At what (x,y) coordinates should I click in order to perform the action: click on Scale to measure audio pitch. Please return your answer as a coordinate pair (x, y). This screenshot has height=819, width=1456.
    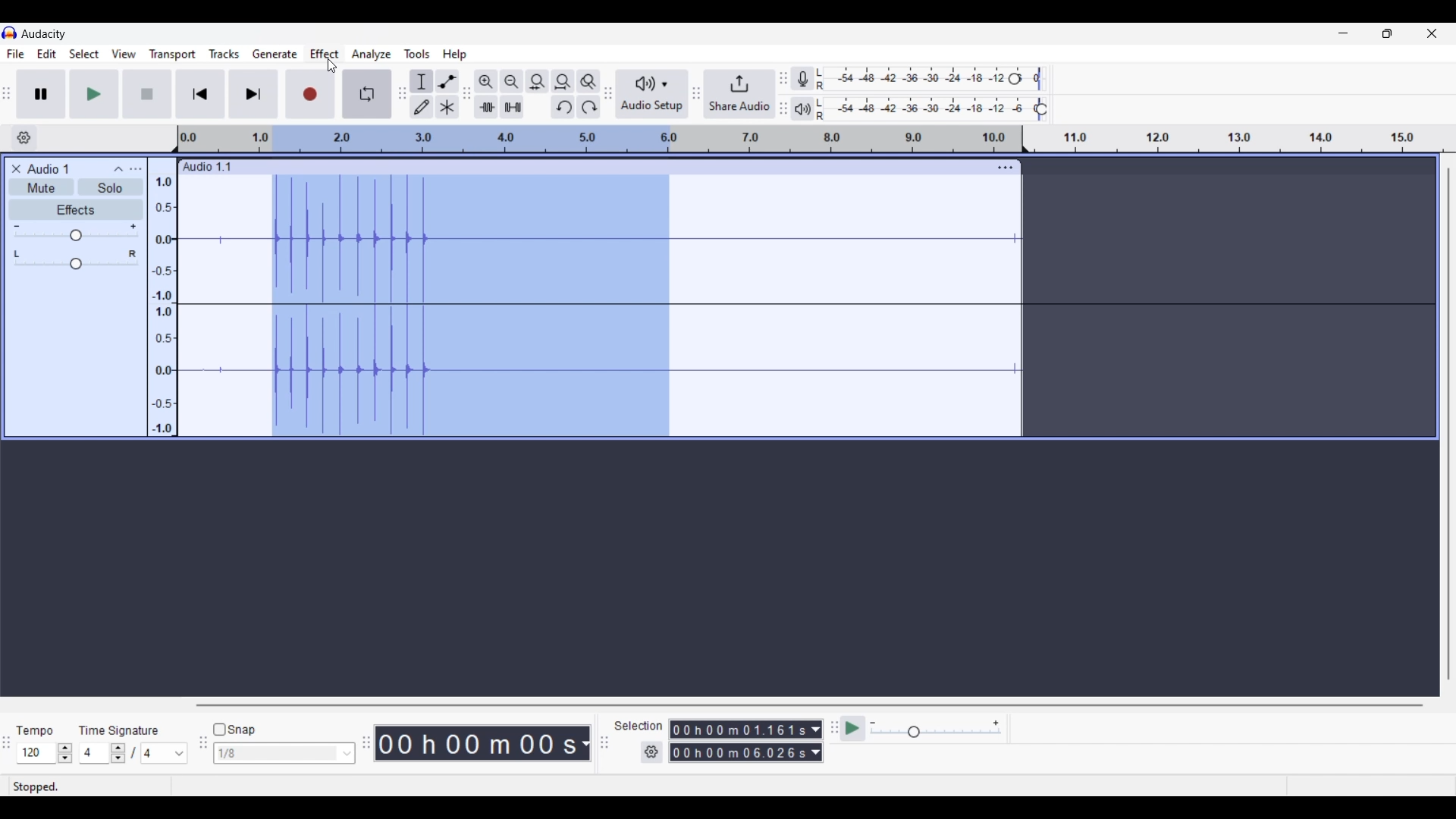
    Looking at the image, I should click on (162, 297).